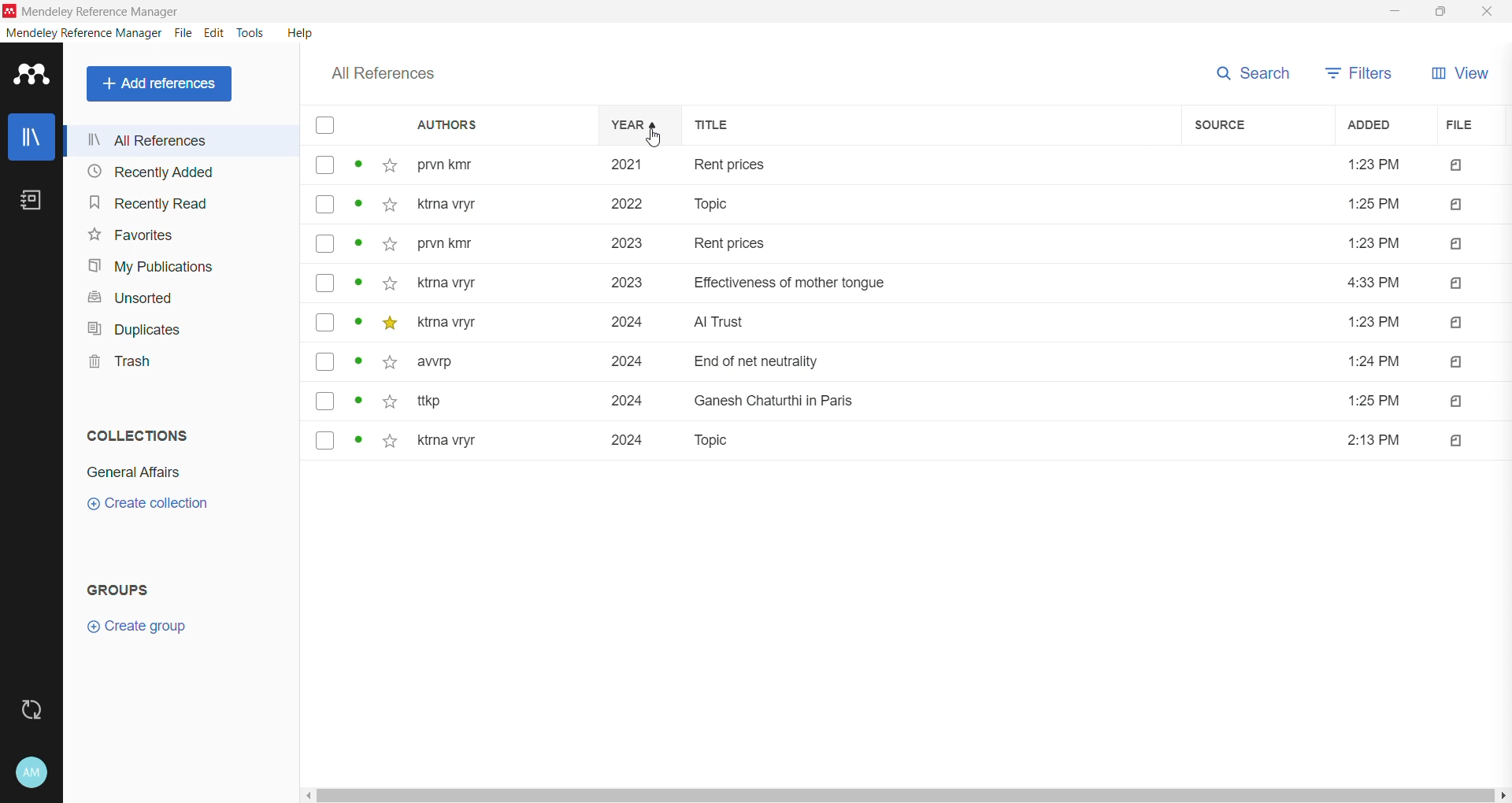 This screenshot has width=1512, height=803. I want to click on 2:13 PM, so click(1377, 439).